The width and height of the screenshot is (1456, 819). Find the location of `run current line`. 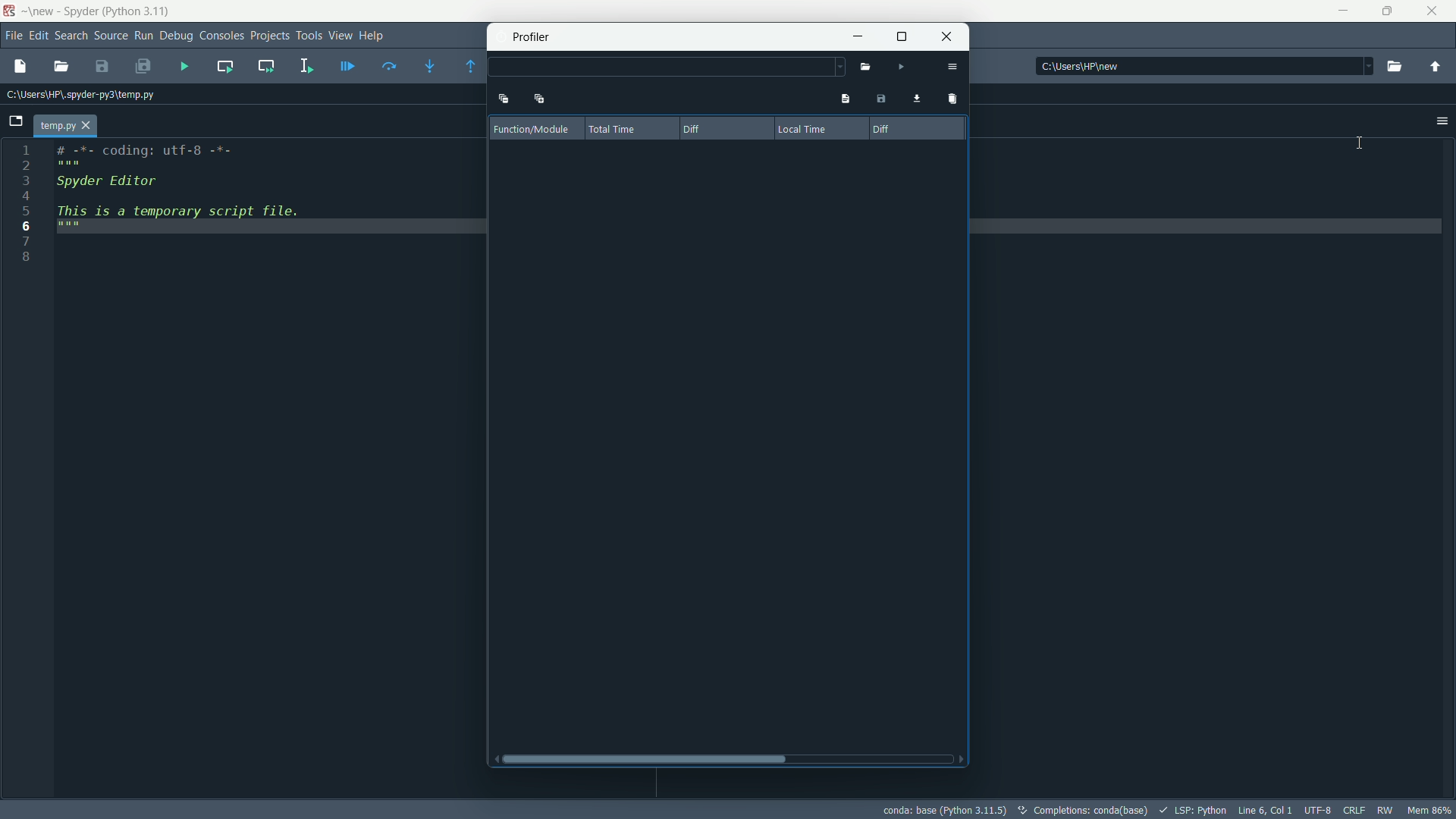

run current line is located at coordinates (390, 67).